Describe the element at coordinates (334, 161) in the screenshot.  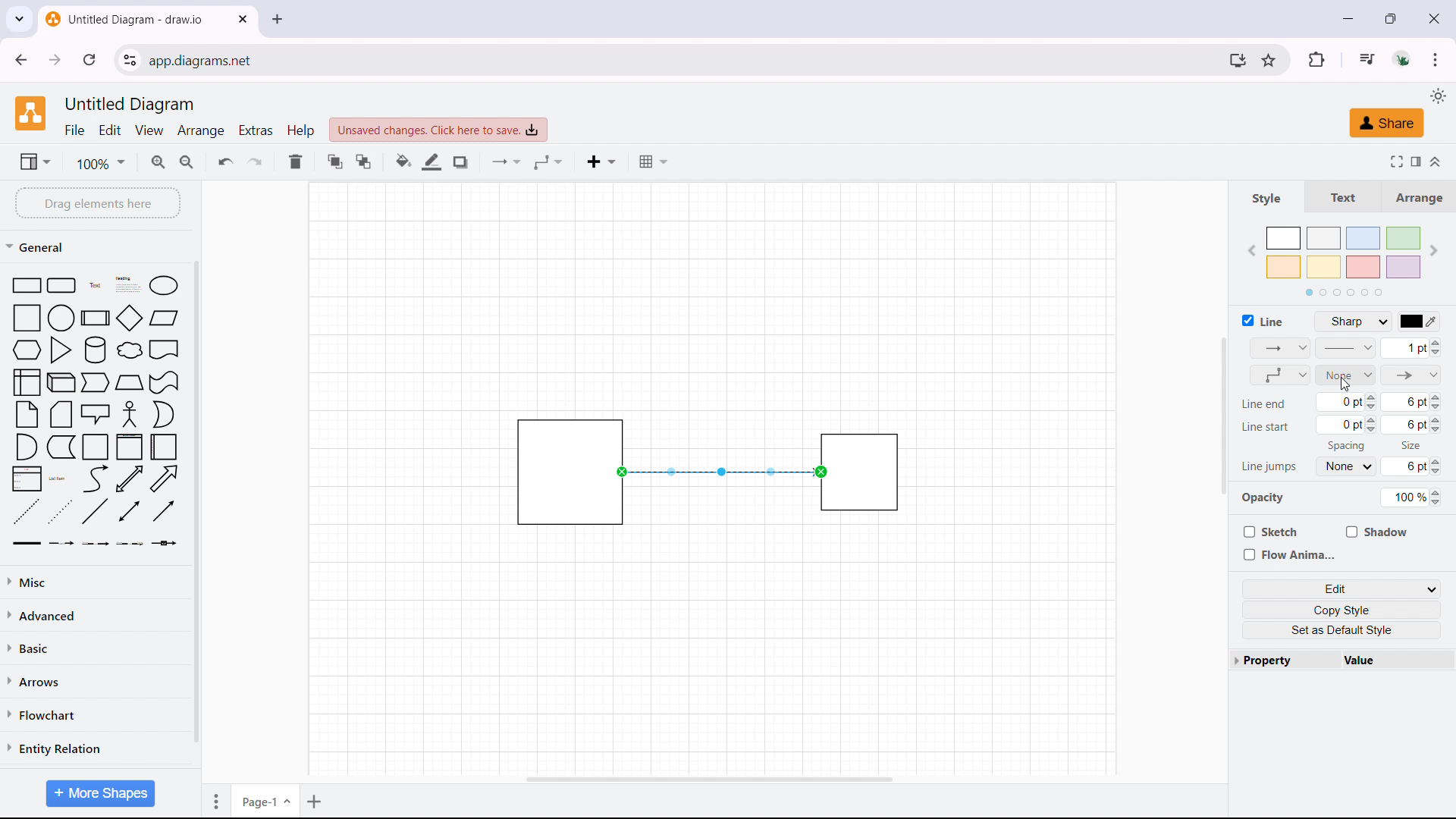
I see `to front` at that location.